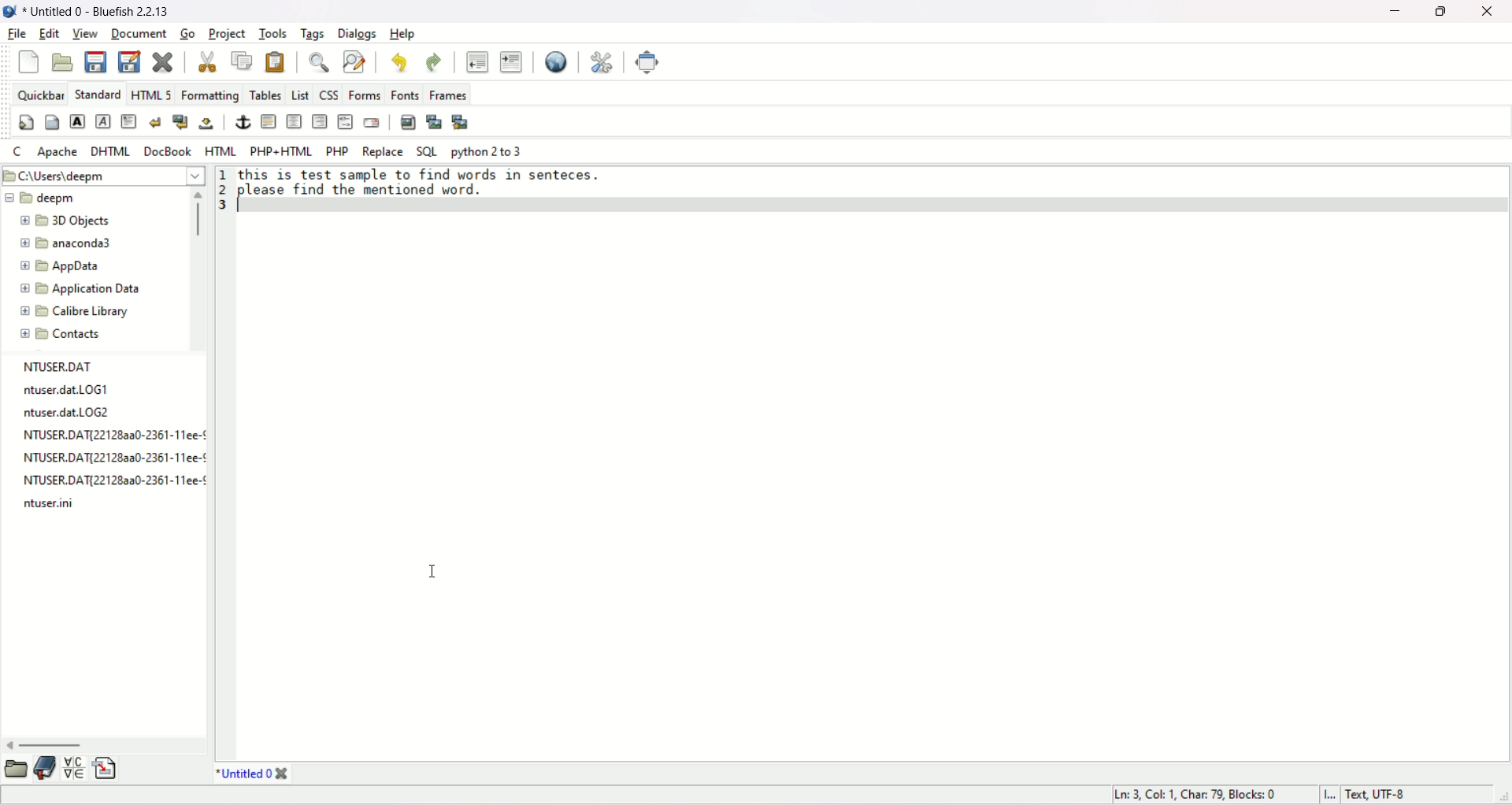 This screenshot has height=805, width=1512. What do you see at coordinates (69, 414) in the screenshot?
I see `ntuser.dat.LOG2` at bounding box center [69, 414].